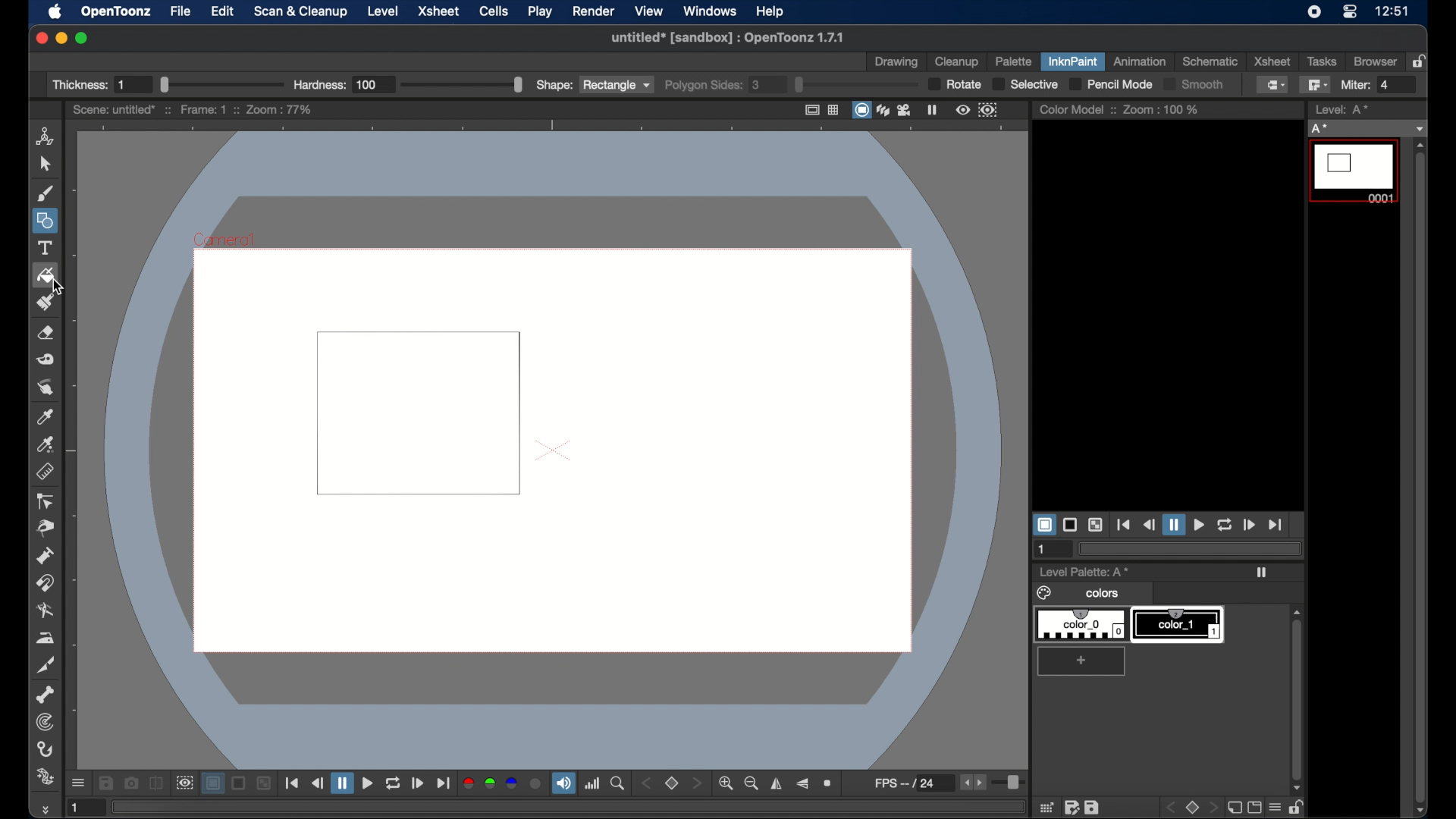  I want to click on repeat, so click(392, 784).